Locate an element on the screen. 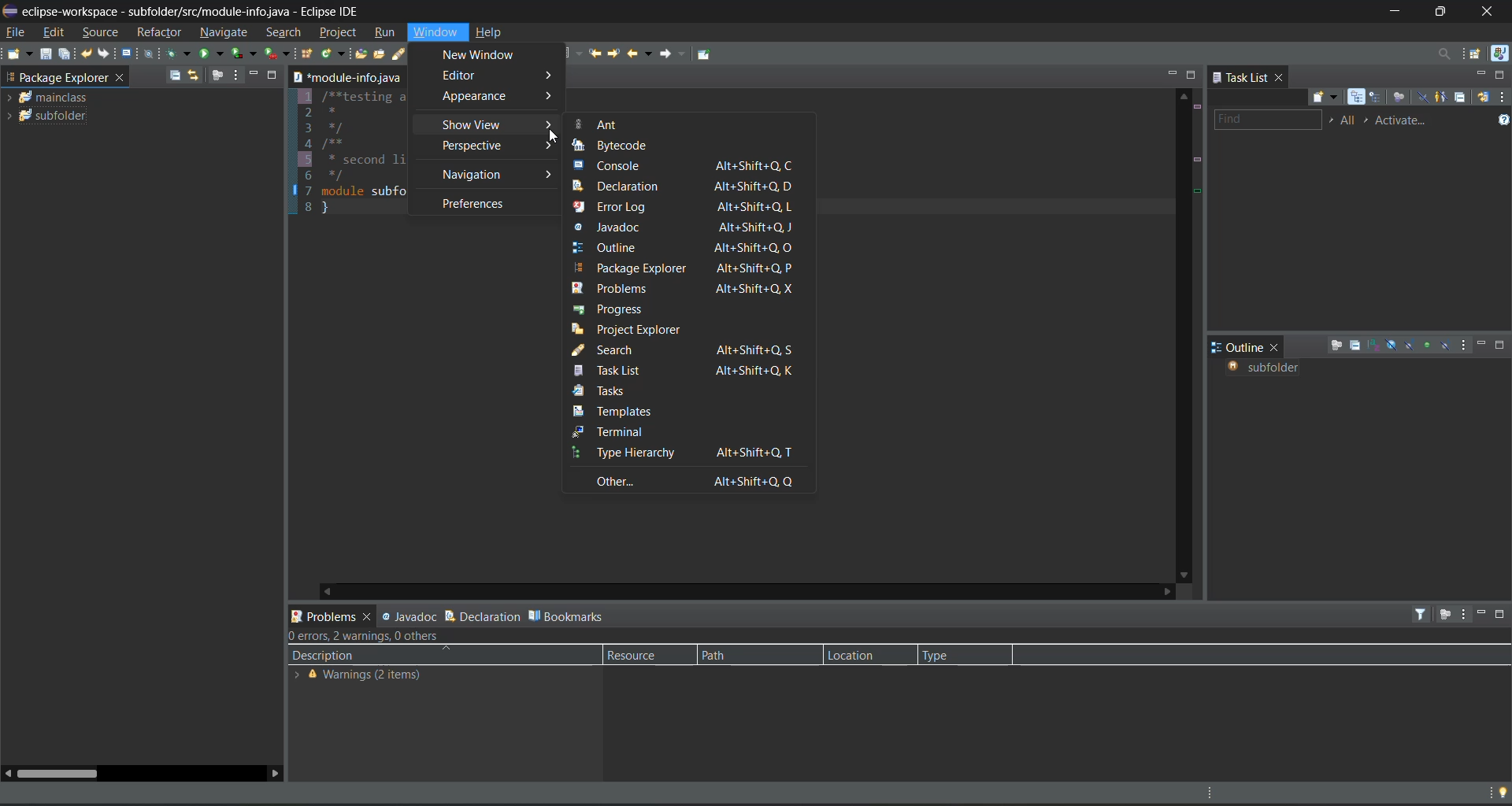  ant is located at coordinates (601, 124).